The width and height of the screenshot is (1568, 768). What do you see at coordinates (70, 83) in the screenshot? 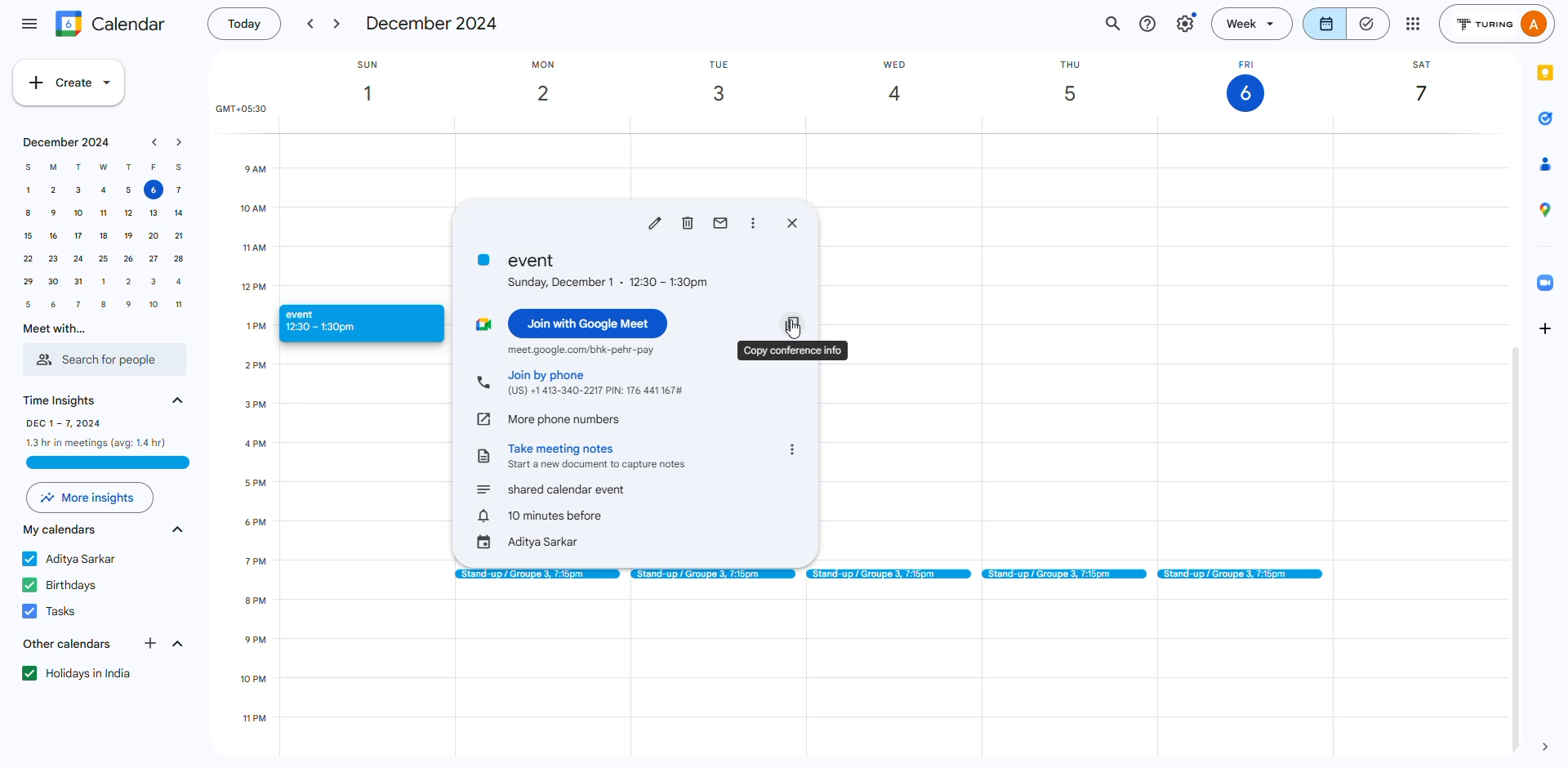
I see `create` at bounding box center [70, 83].